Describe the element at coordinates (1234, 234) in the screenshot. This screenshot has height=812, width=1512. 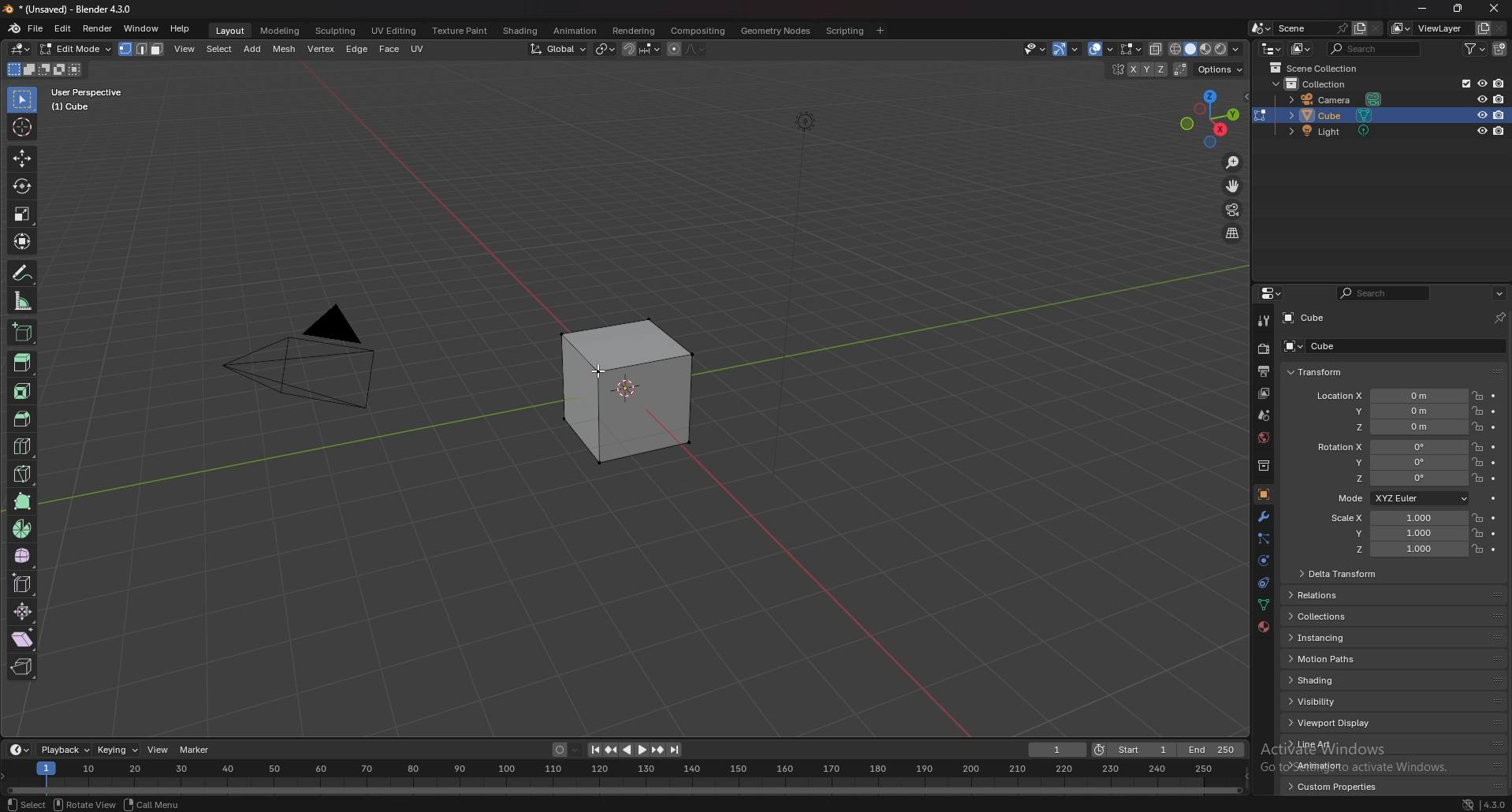
I see `switch view from perspective/orthographic position` at that location.